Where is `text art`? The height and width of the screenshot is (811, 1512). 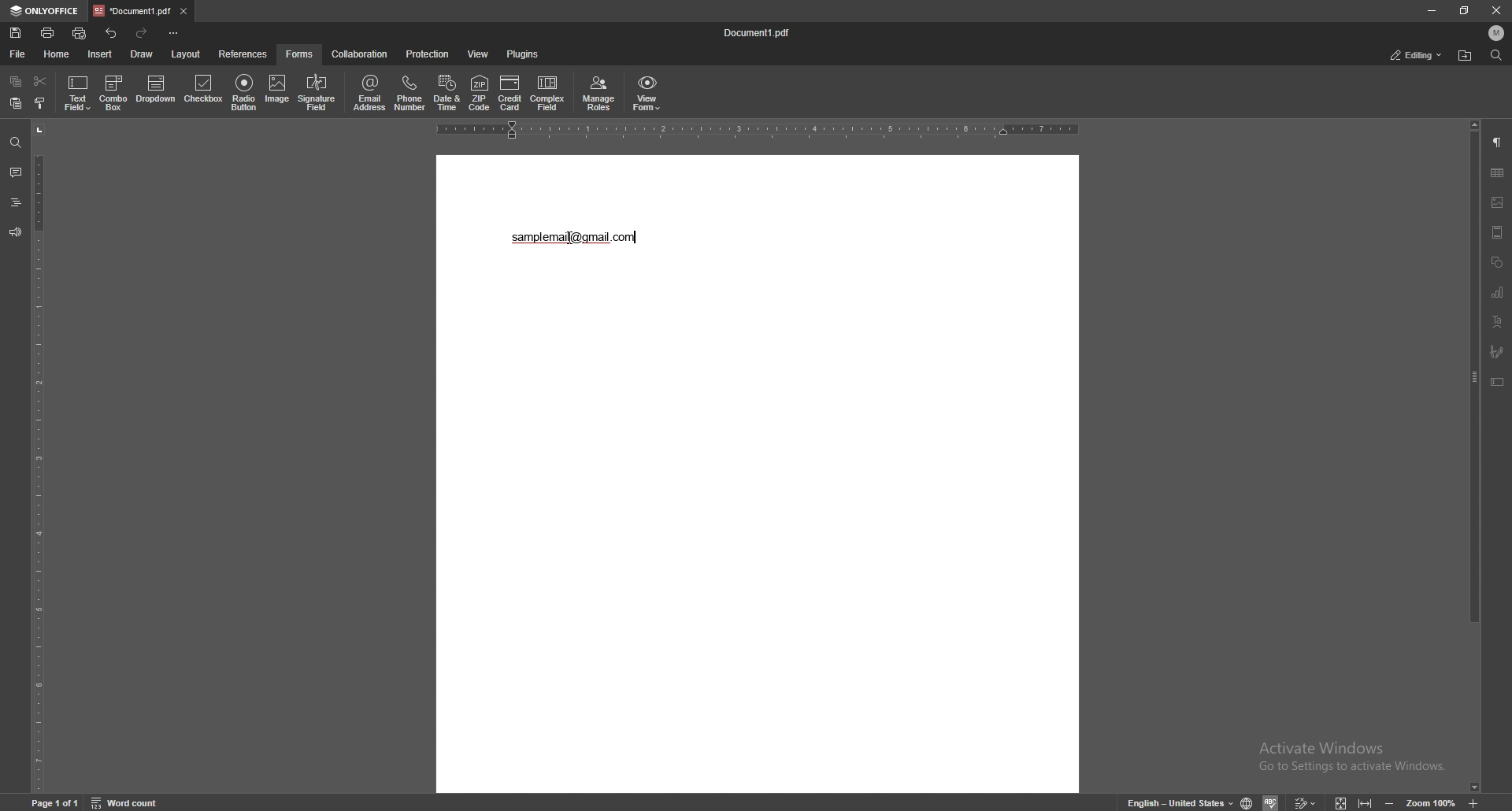 text art is located at coordinates (1498, 322).